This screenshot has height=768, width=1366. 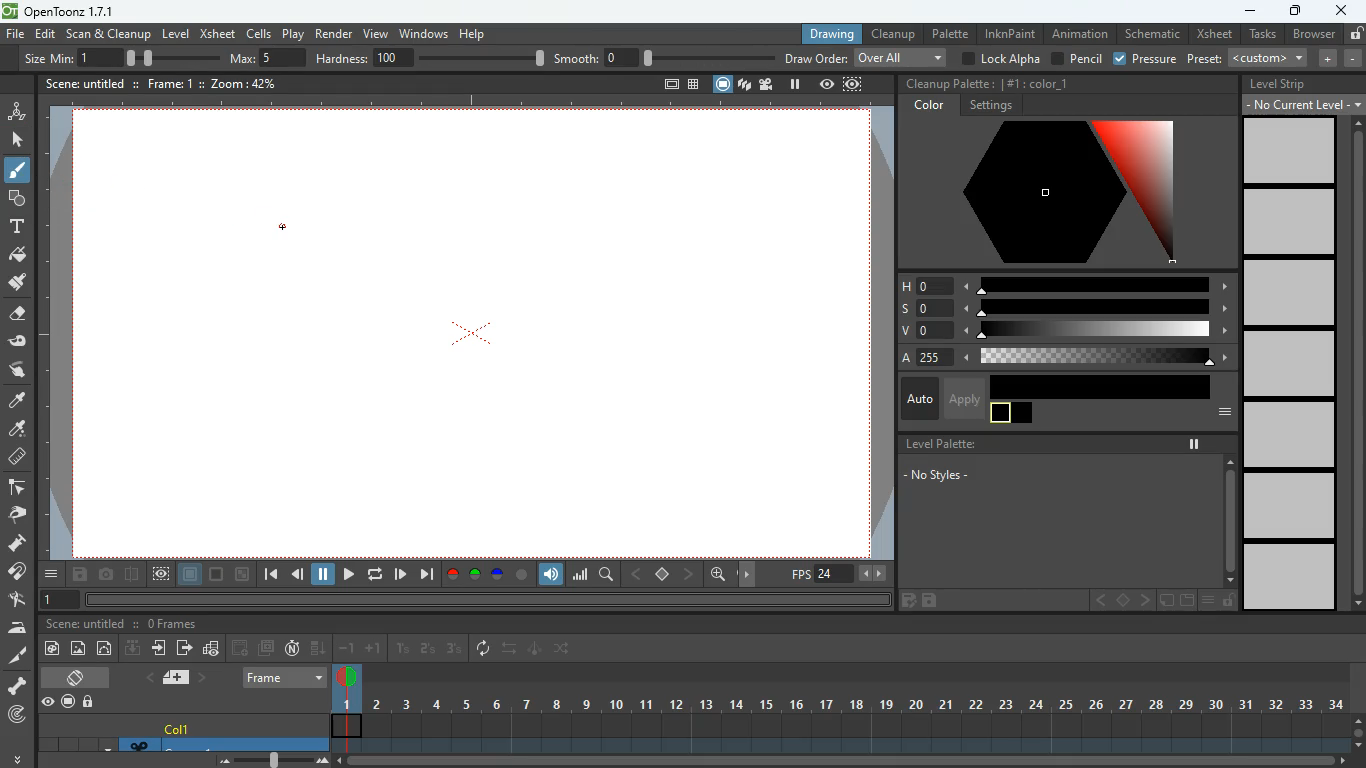 What do you see at coordinates (161, 575) in the screenshot?
I see `frame` at bounding box center [161, 575].